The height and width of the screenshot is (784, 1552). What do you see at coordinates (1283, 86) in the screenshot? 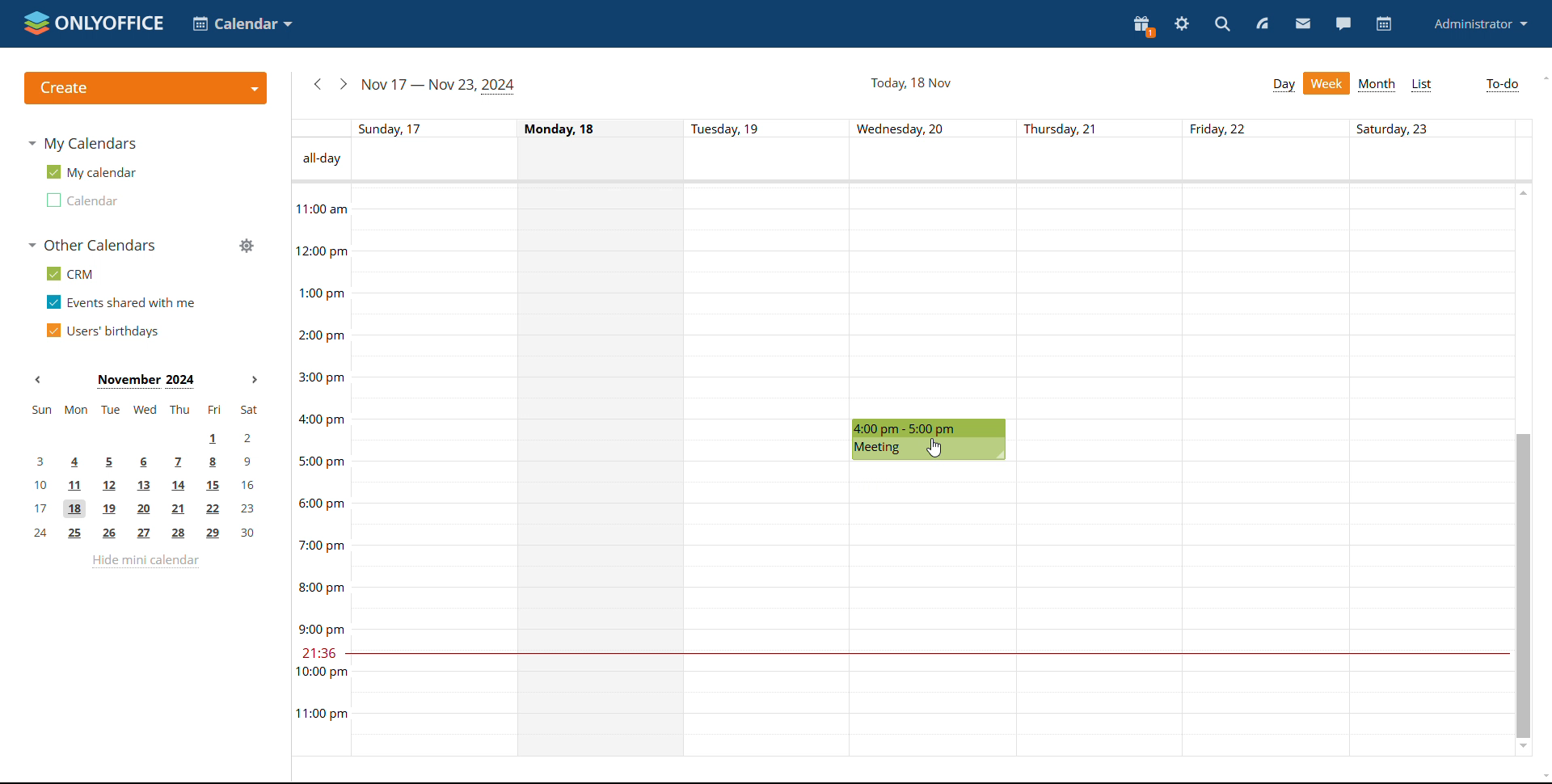
I see `day view` at bounding box center [1283, 86].